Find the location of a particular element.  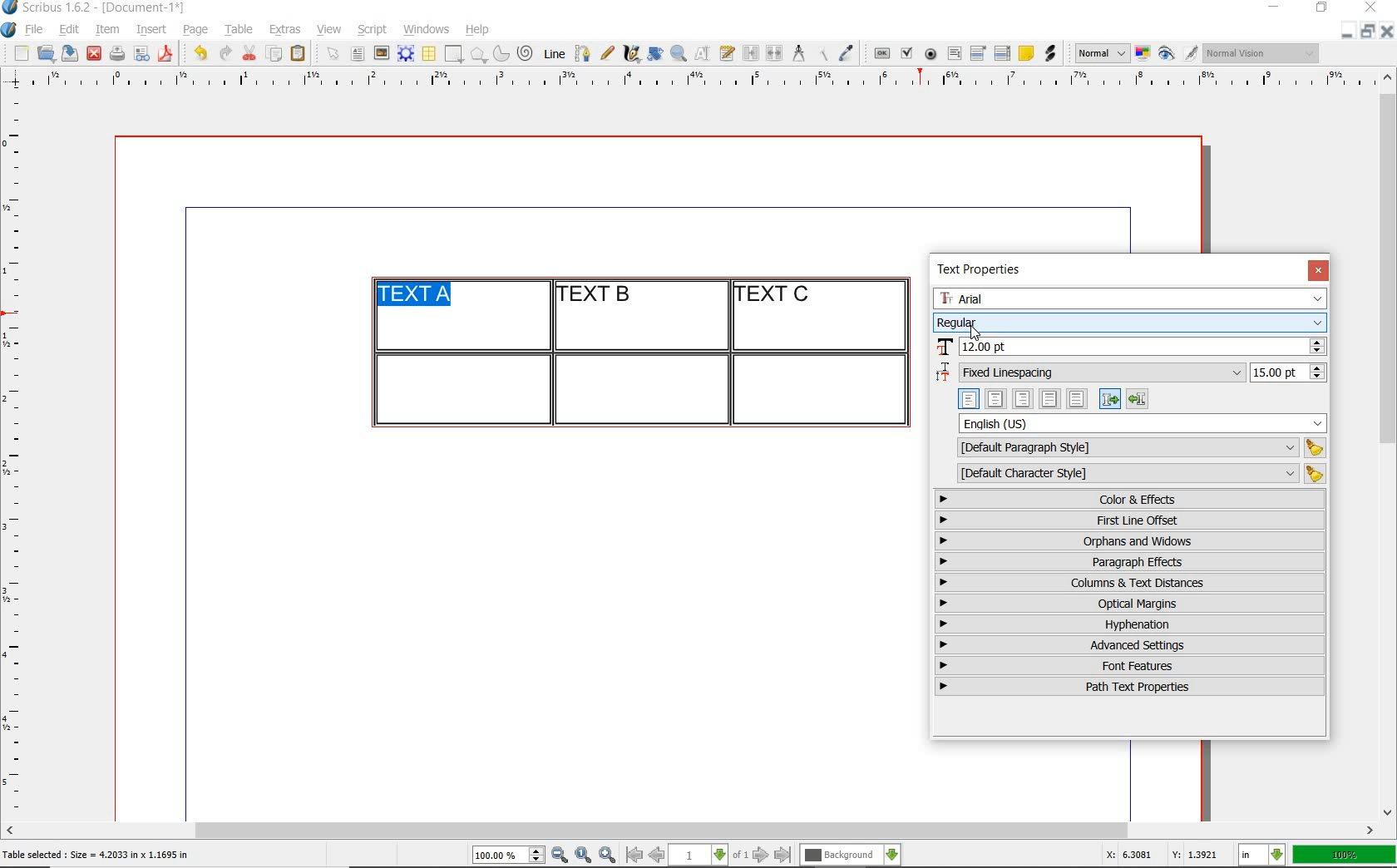

ruler is located at coordinates (709, 81).